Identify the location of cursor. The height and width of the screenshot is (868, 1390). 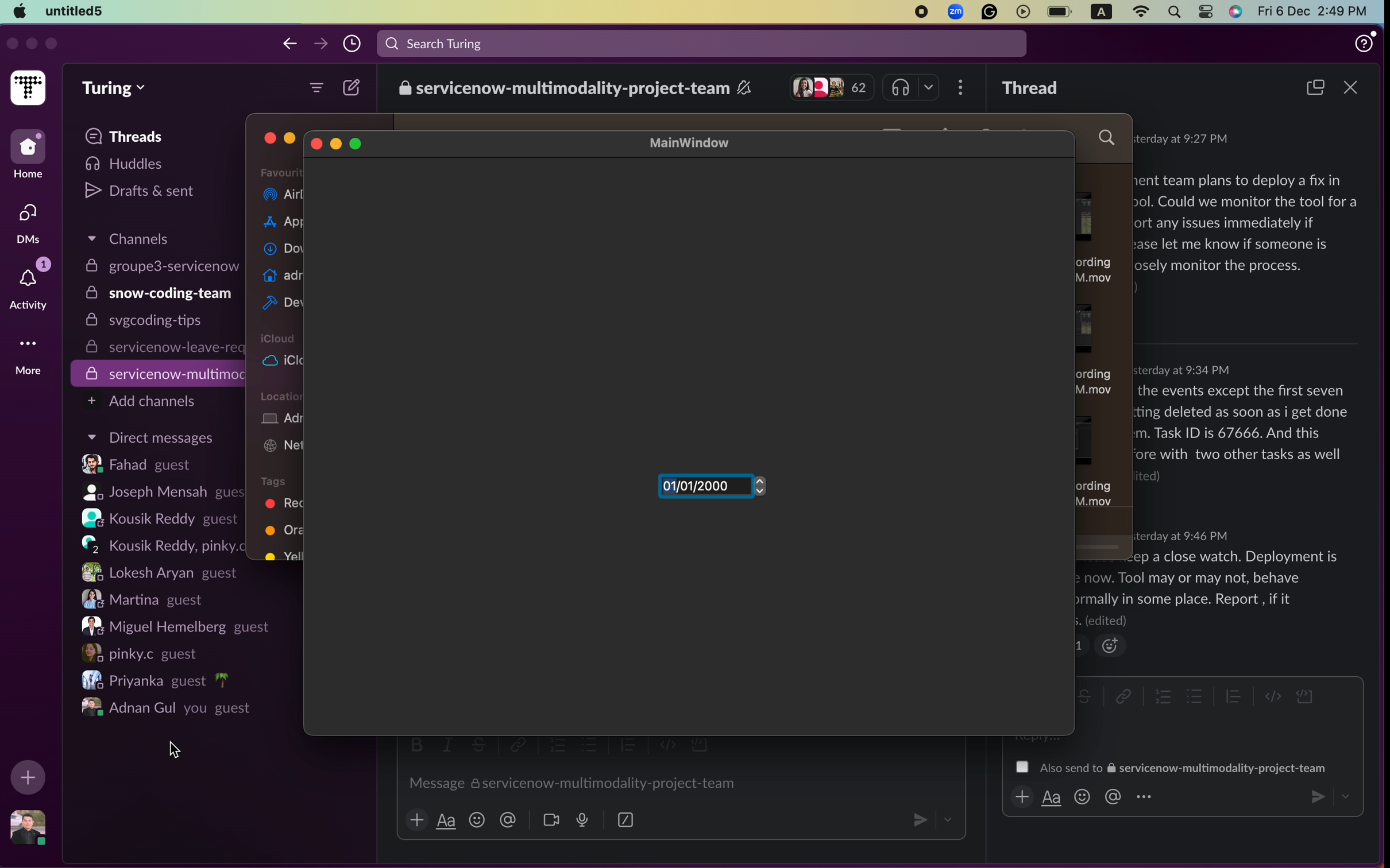
(174, 750).